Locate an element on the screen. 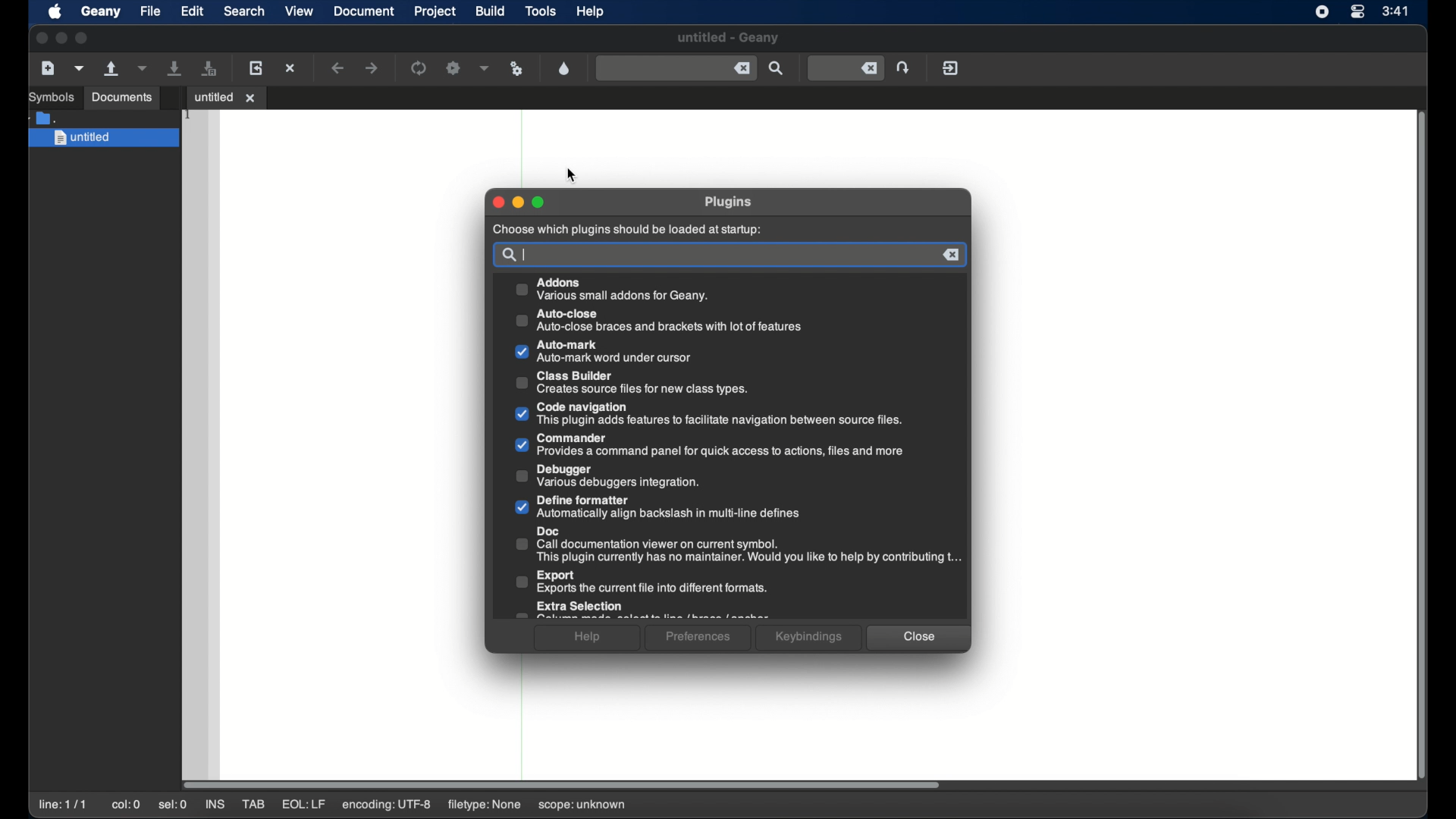  addons is located at coordinates (612, 290).